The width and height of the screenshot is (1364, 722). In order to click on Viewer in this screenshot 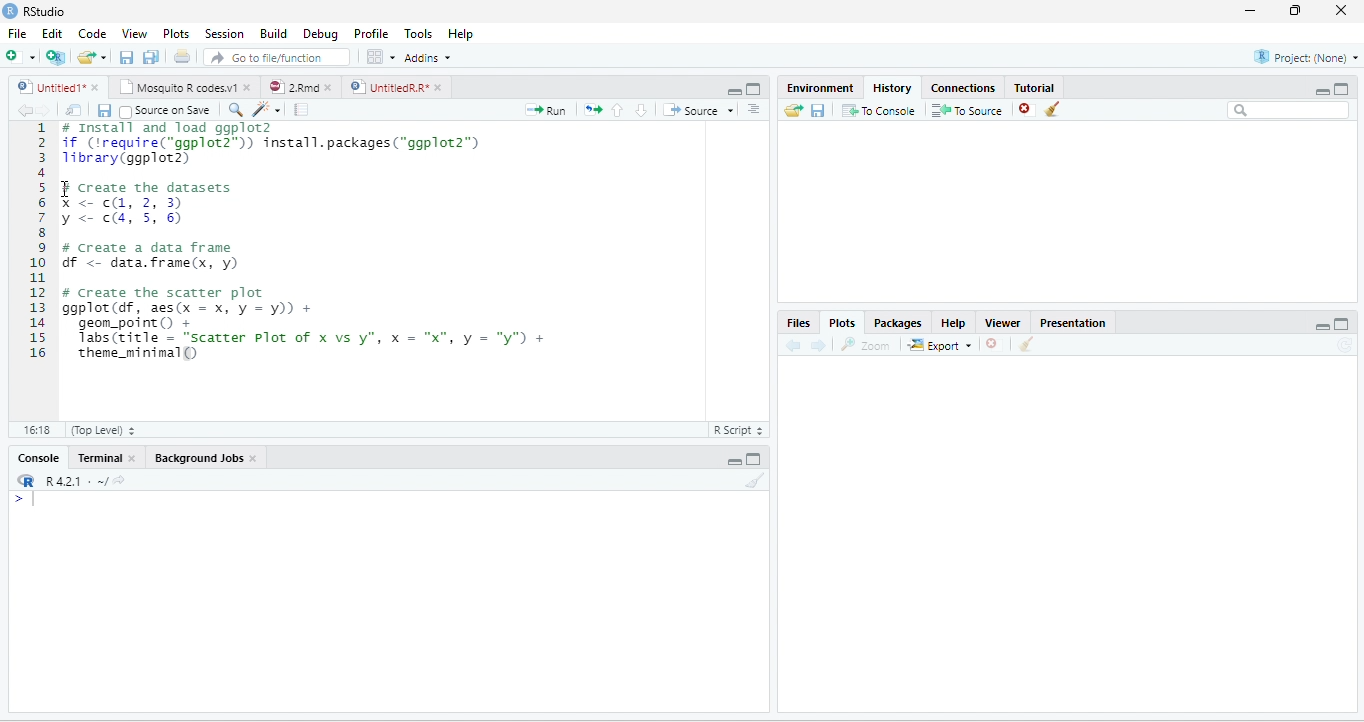, I will do `click(1004, 322)`.